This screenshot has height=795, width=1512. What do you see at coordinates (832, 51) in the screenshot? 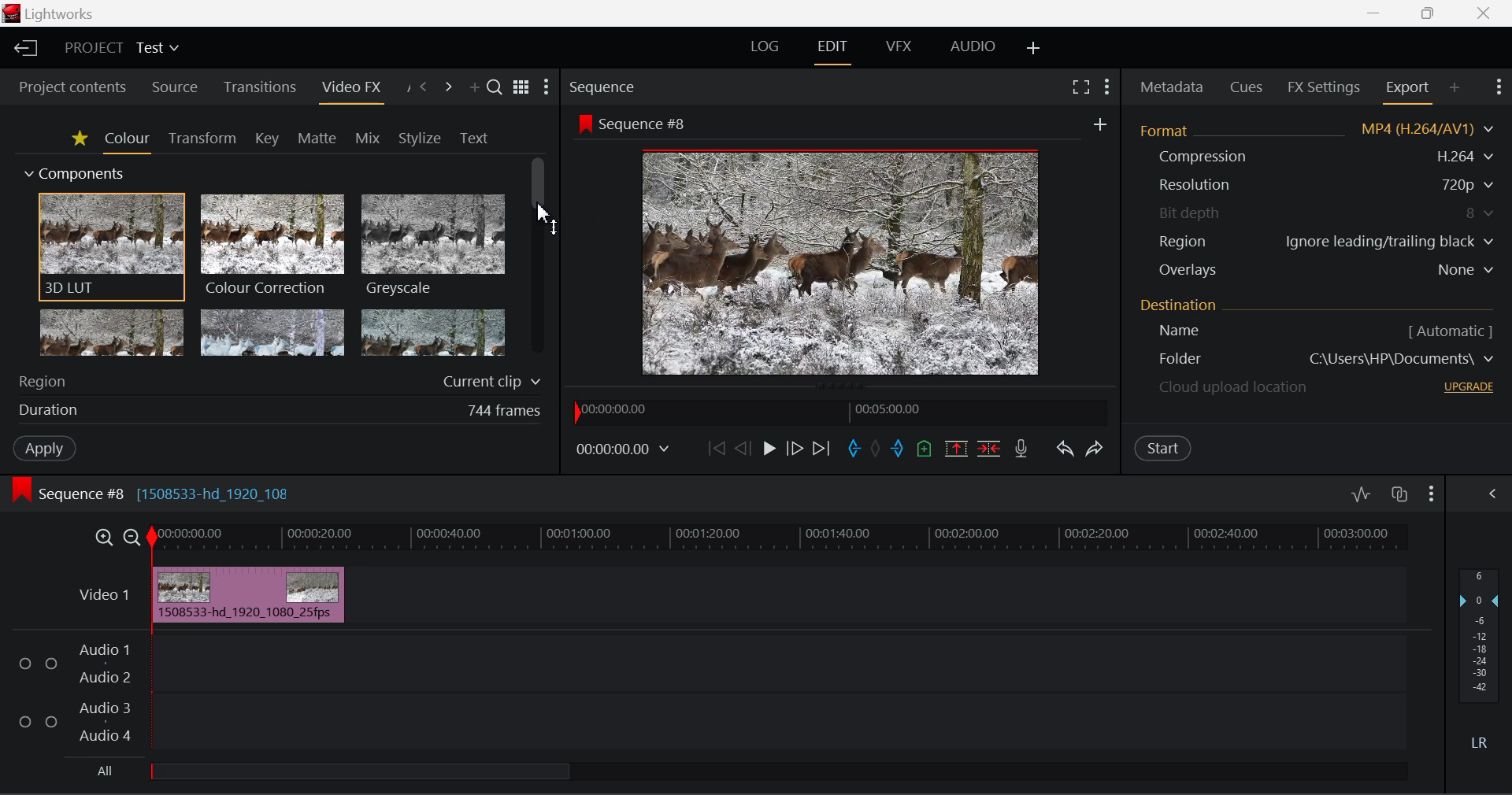
I see `EDIT Layout` at bounding box center [832, 51].